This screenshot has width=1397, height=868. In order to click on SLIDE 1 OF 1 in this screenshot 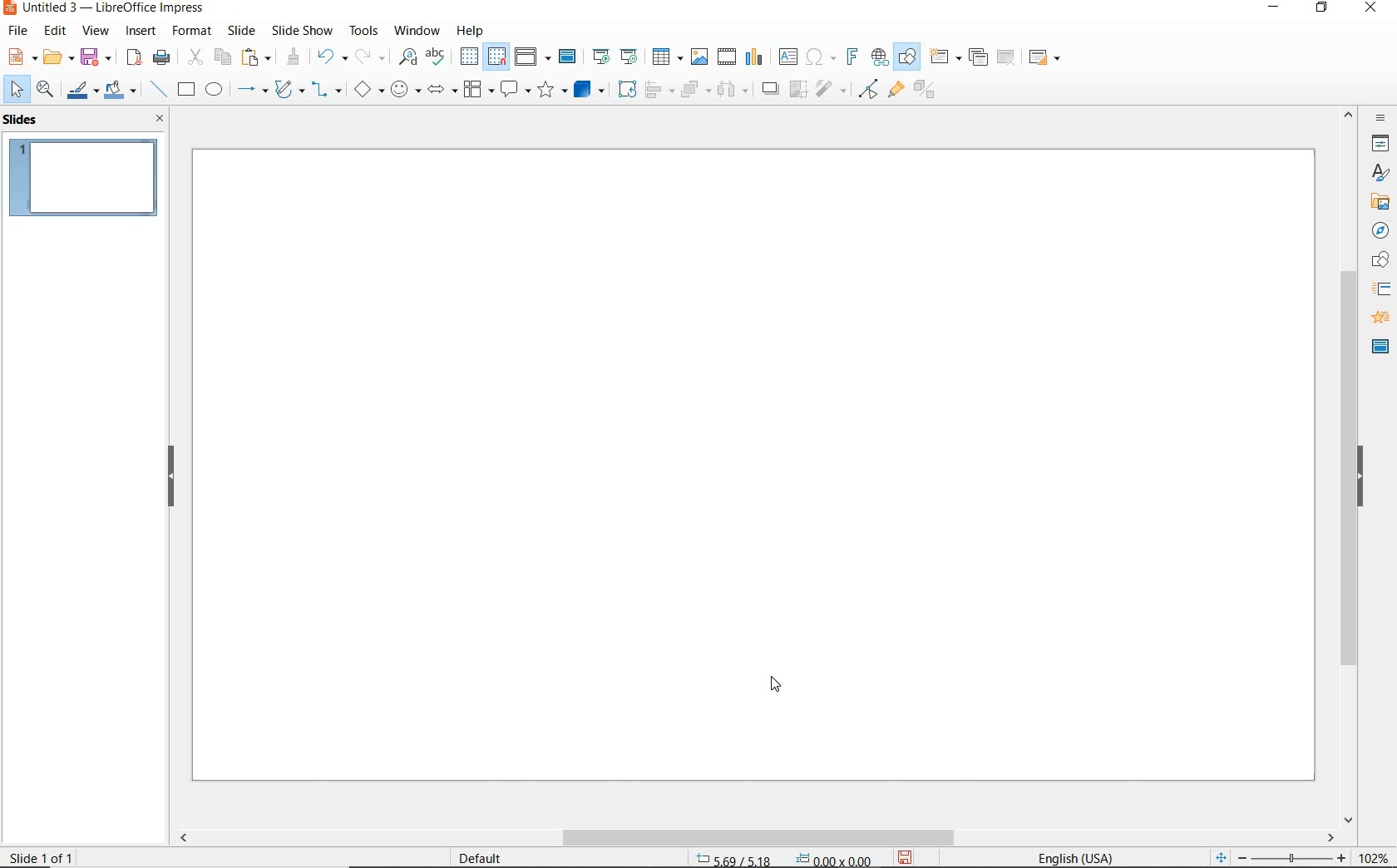, I will do `click(40, 857)`.